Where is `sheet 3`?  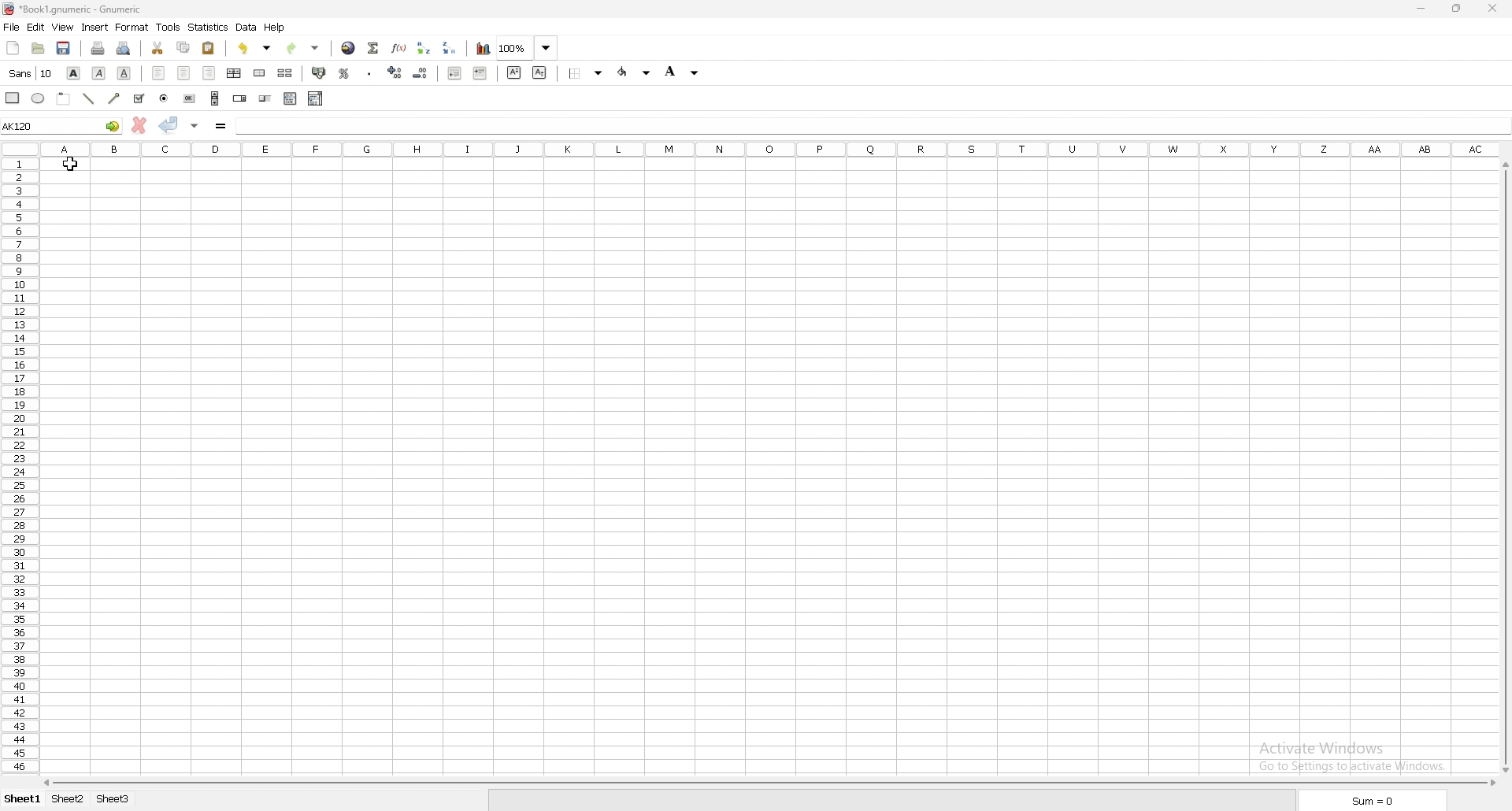
sheet 3 is located at coordinates (114, 799).